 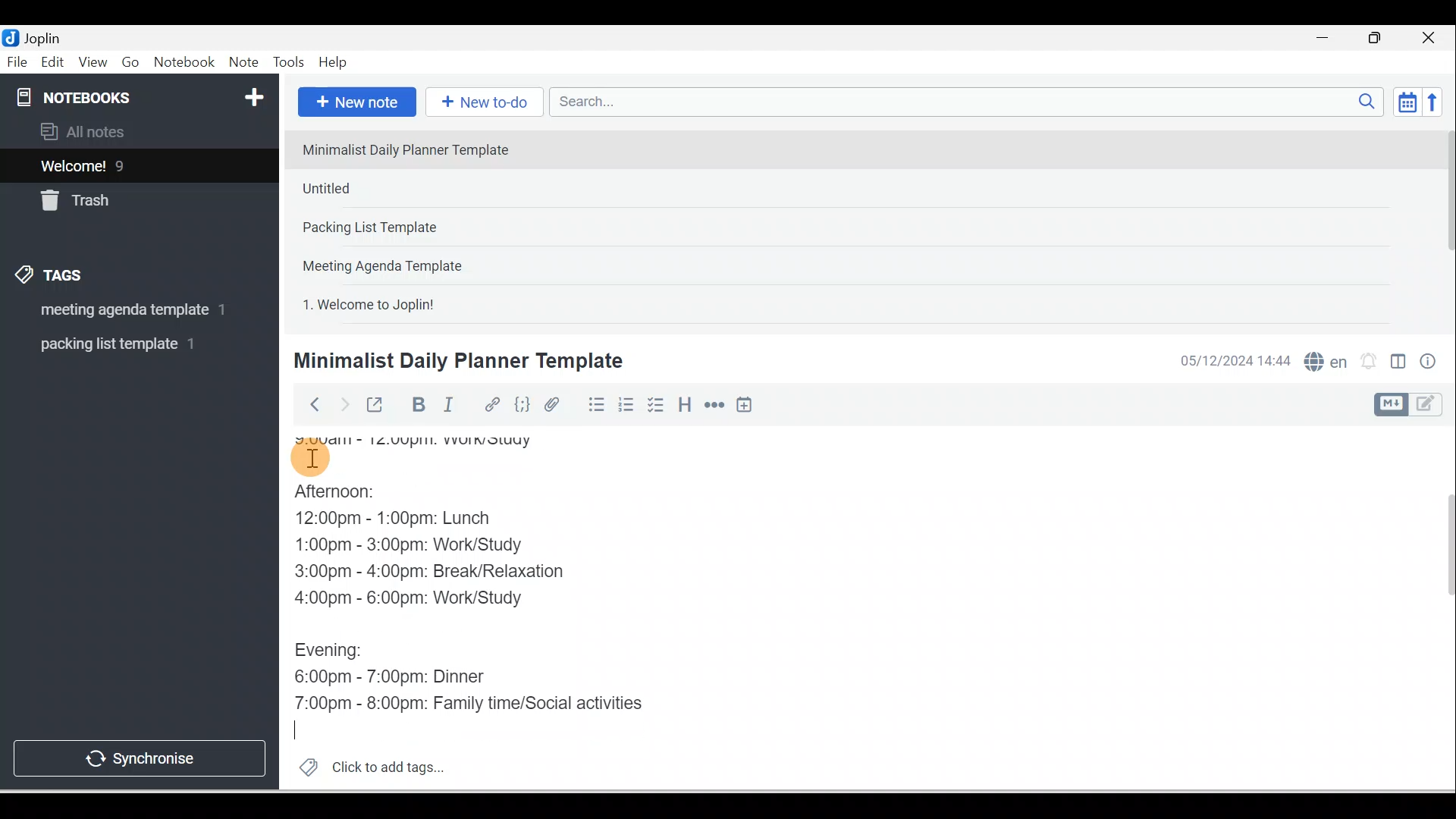 What do you see at coordinates (128, 162) in the screenshot?
I see `Notes` at bounding box center [128, 162].